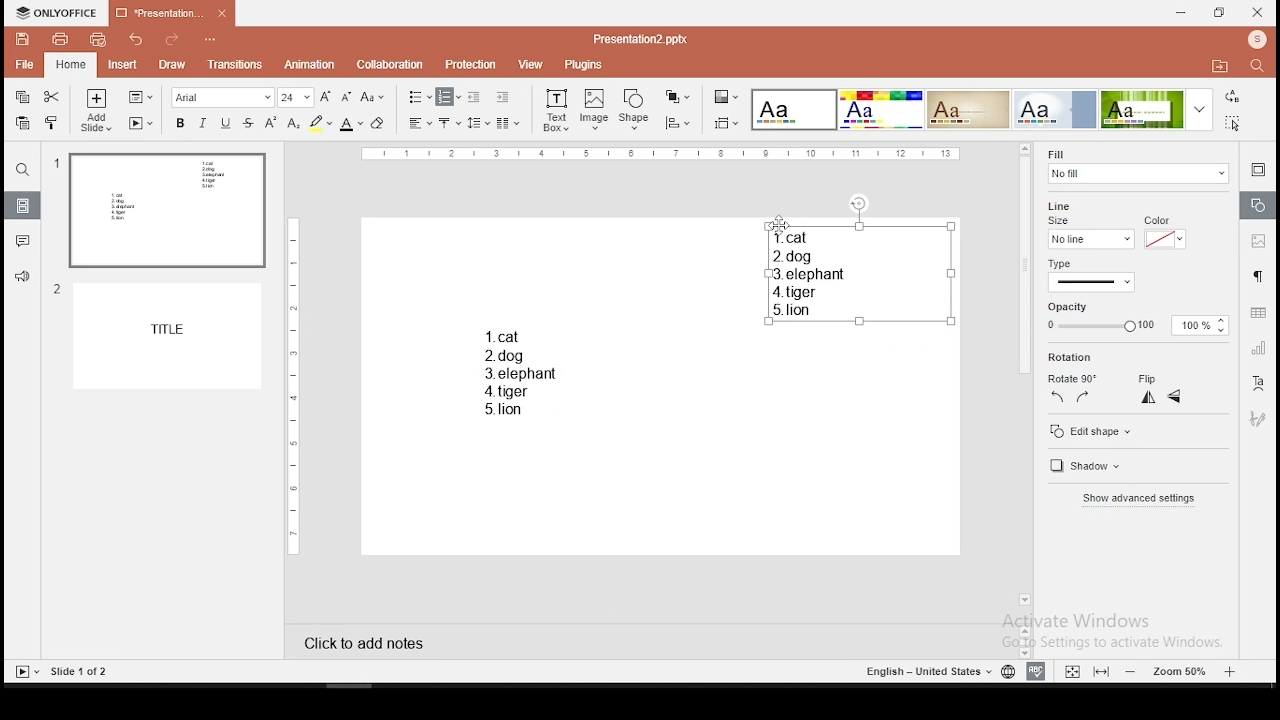 This screenshot has height=720, width=1280. Describe the element at coordinates (1236, 125) in the screenshot. I see `select all` at that location.